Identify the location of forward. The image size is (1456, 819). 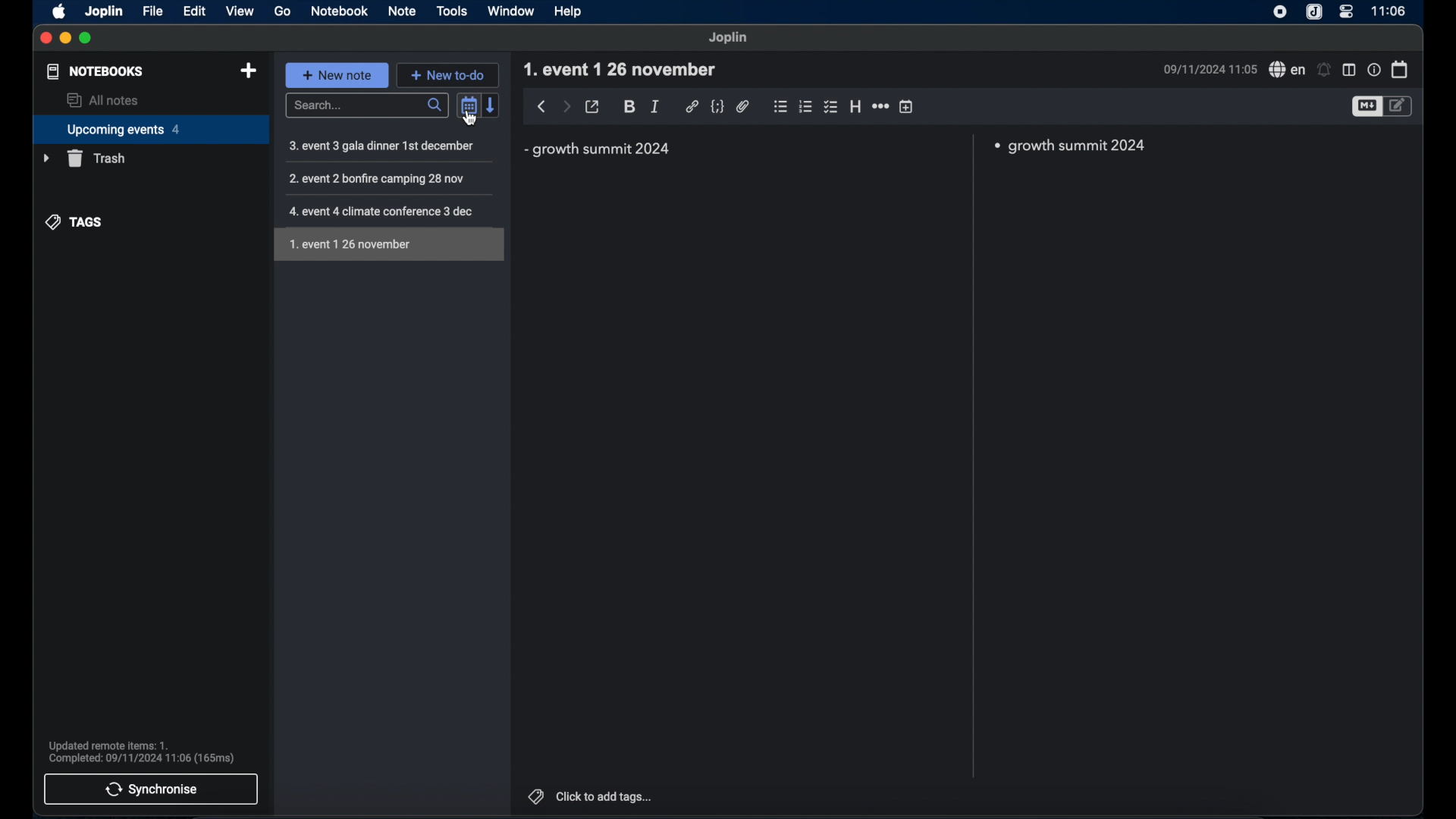
(566, 105).